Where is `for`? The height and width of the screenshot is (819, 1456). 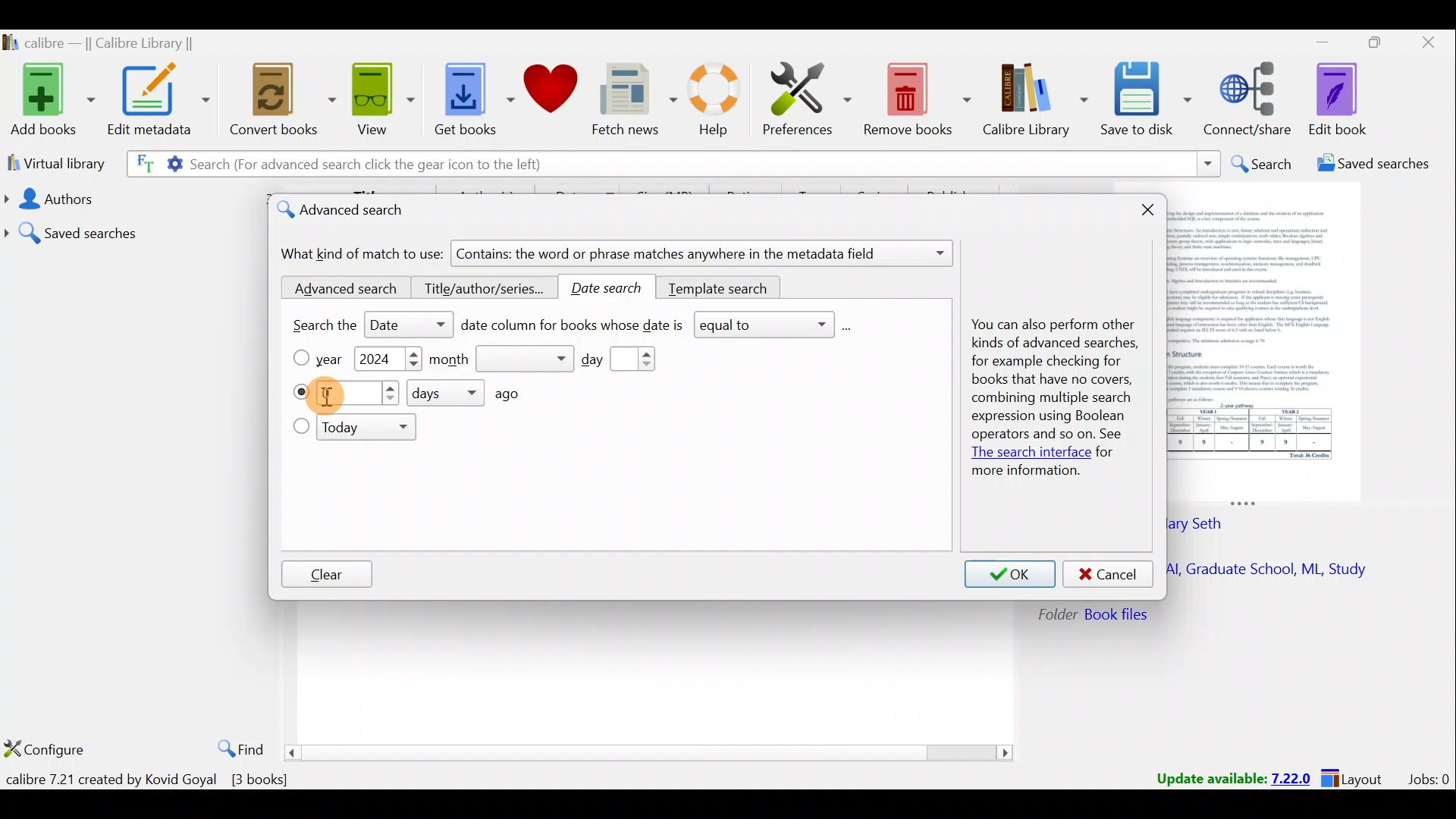 for is located at coordinates (1106, 453).